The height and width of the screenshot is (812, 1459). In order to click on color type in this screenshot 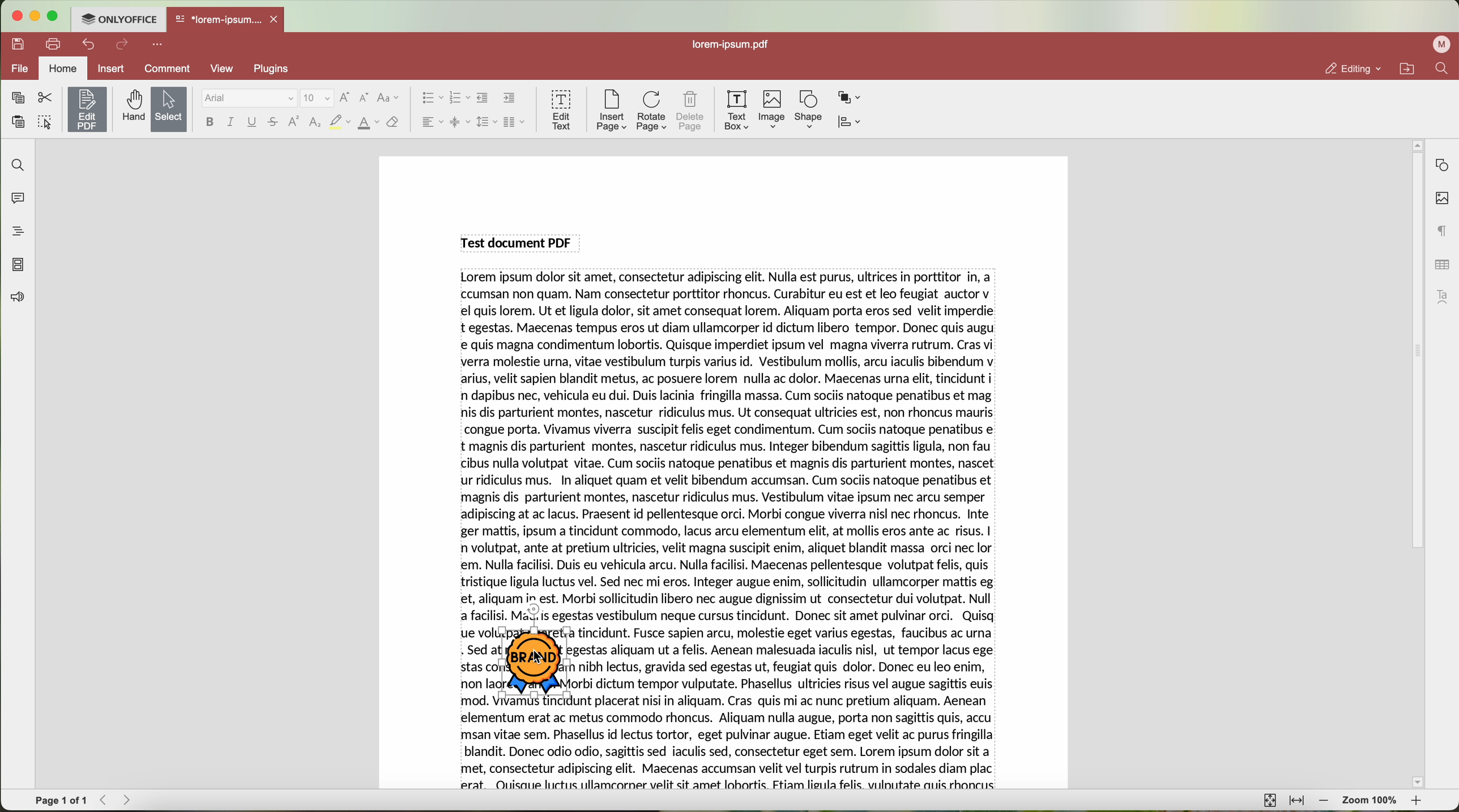, I will do `click(369, 123)`.